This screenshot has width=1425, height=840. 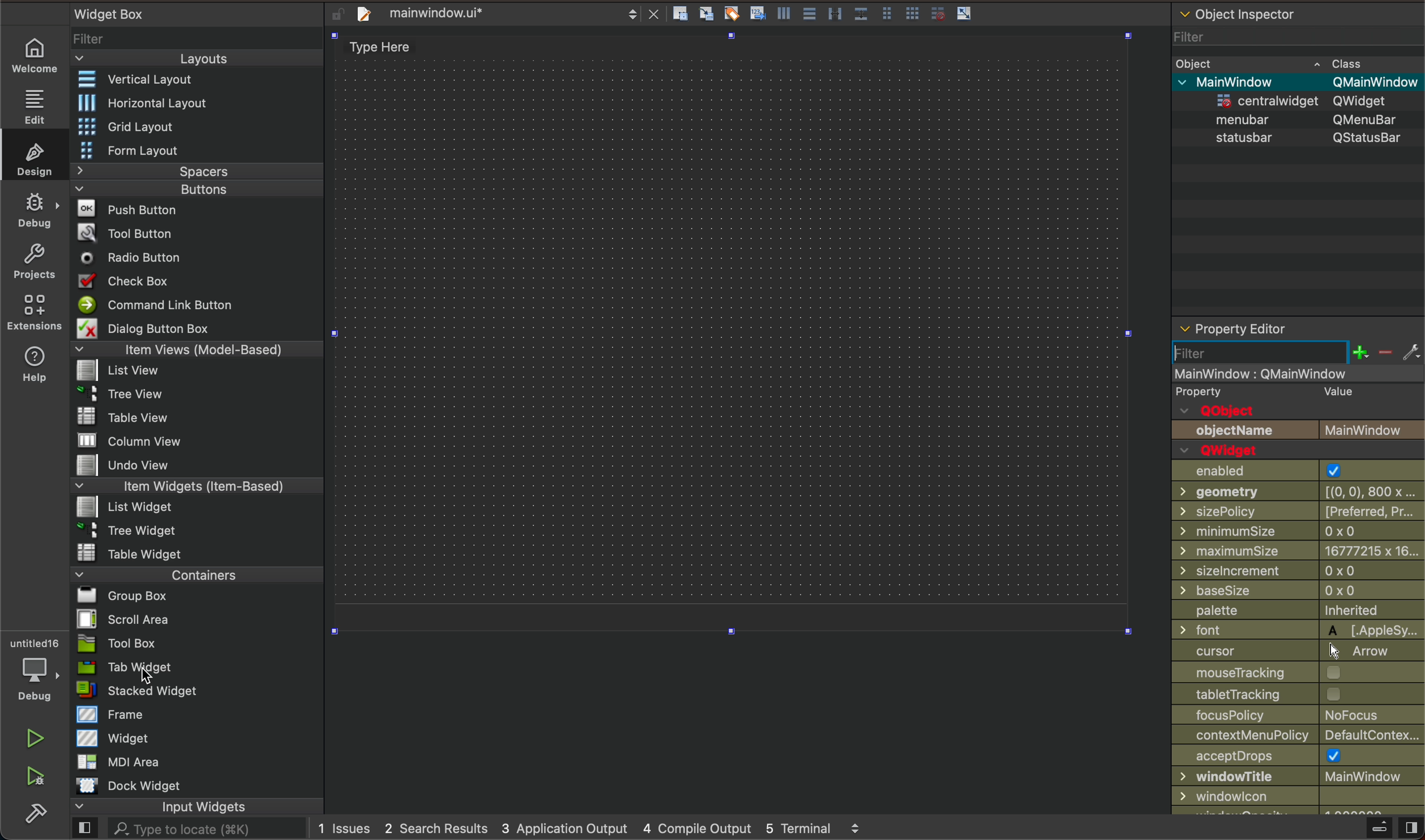 What do you see at coordinates (131, 151) in the screenshot?
I see ` Form Layout` at bounding box center [131, 151].